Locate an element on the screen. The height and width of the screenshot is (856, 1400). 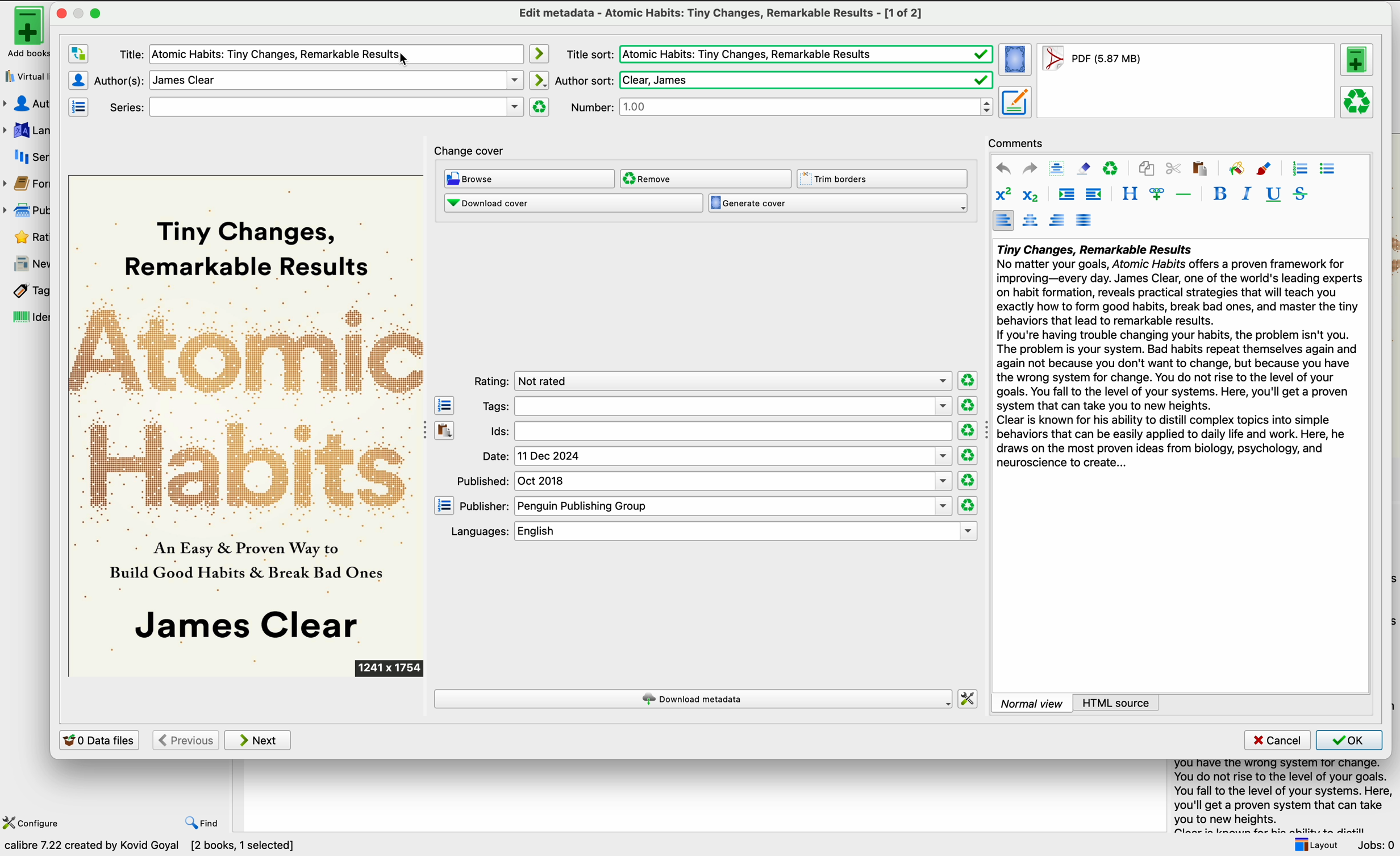
next button is located at coordinates (259, 741).